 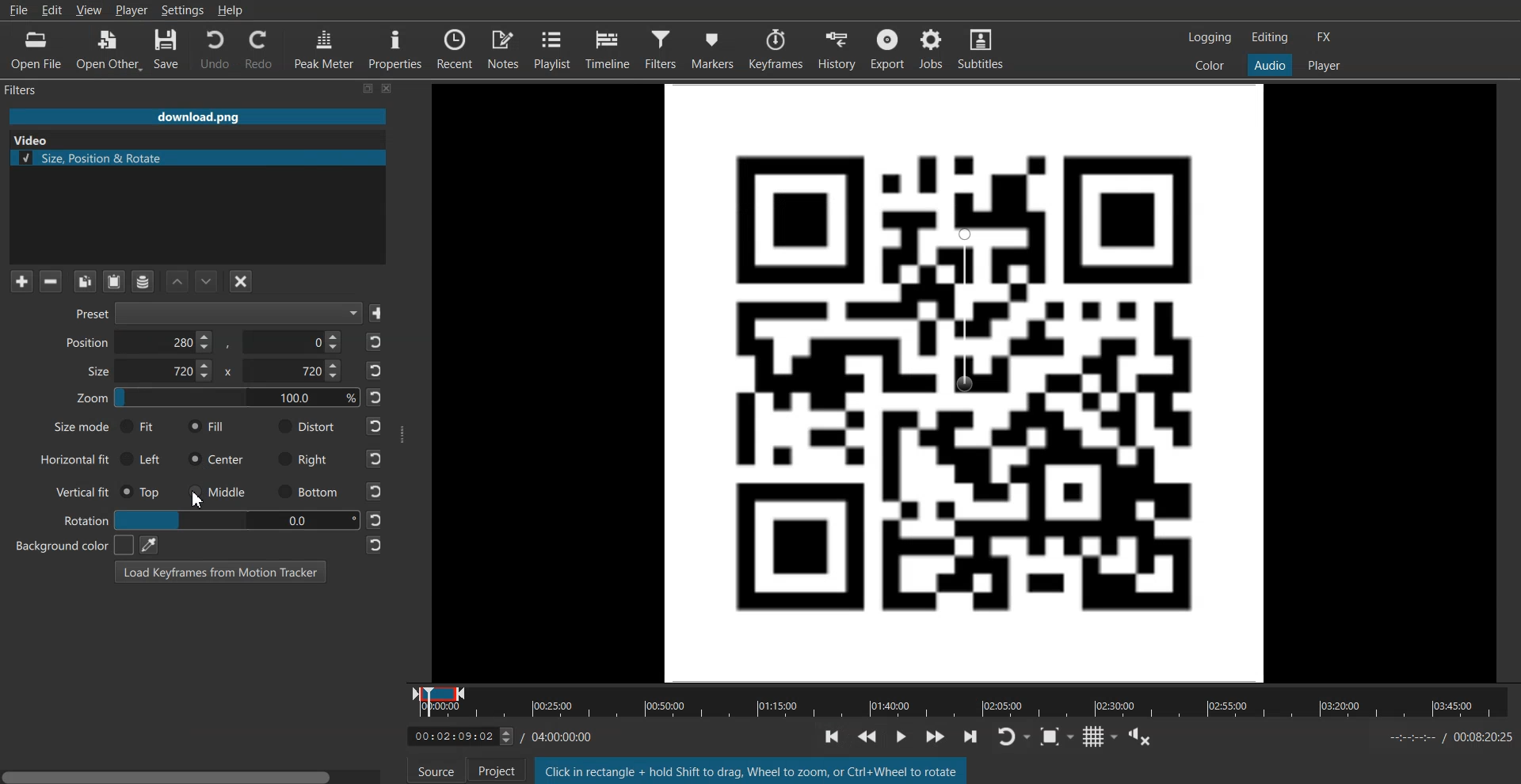 What do you see at coordinates (1210, 66) in the screenshot?
I see `Switch to the color layout` at bounding box center [1210, 66].